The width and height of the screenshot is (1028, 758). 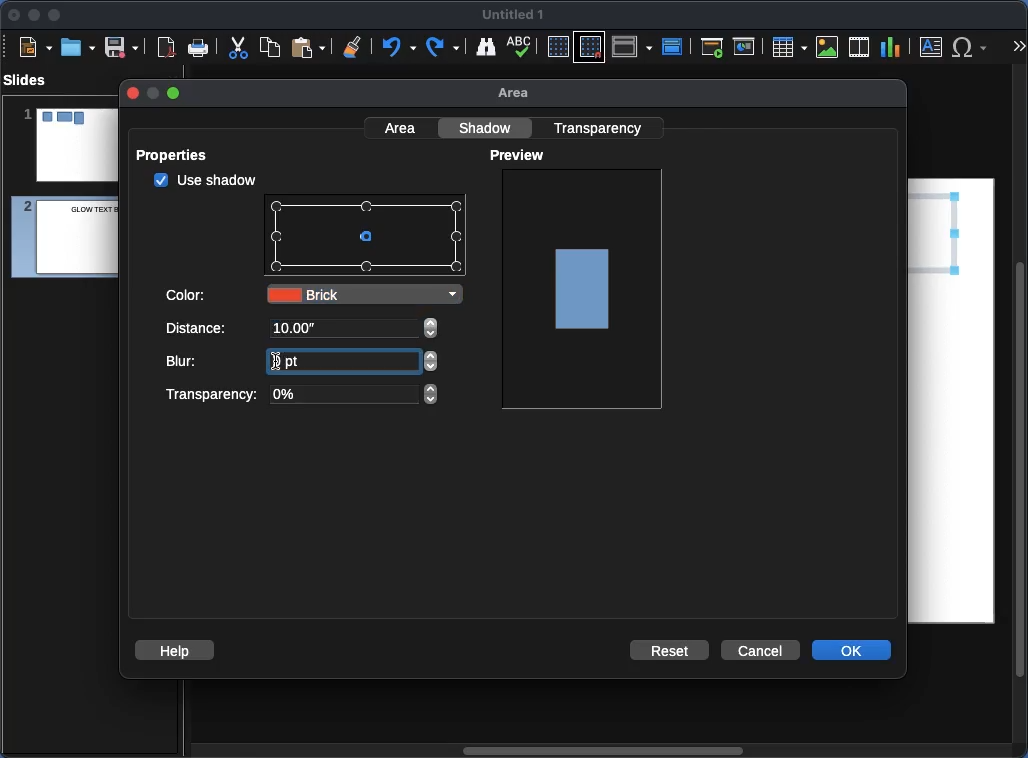 I want to click on Undo, so click(x=397, y=47).